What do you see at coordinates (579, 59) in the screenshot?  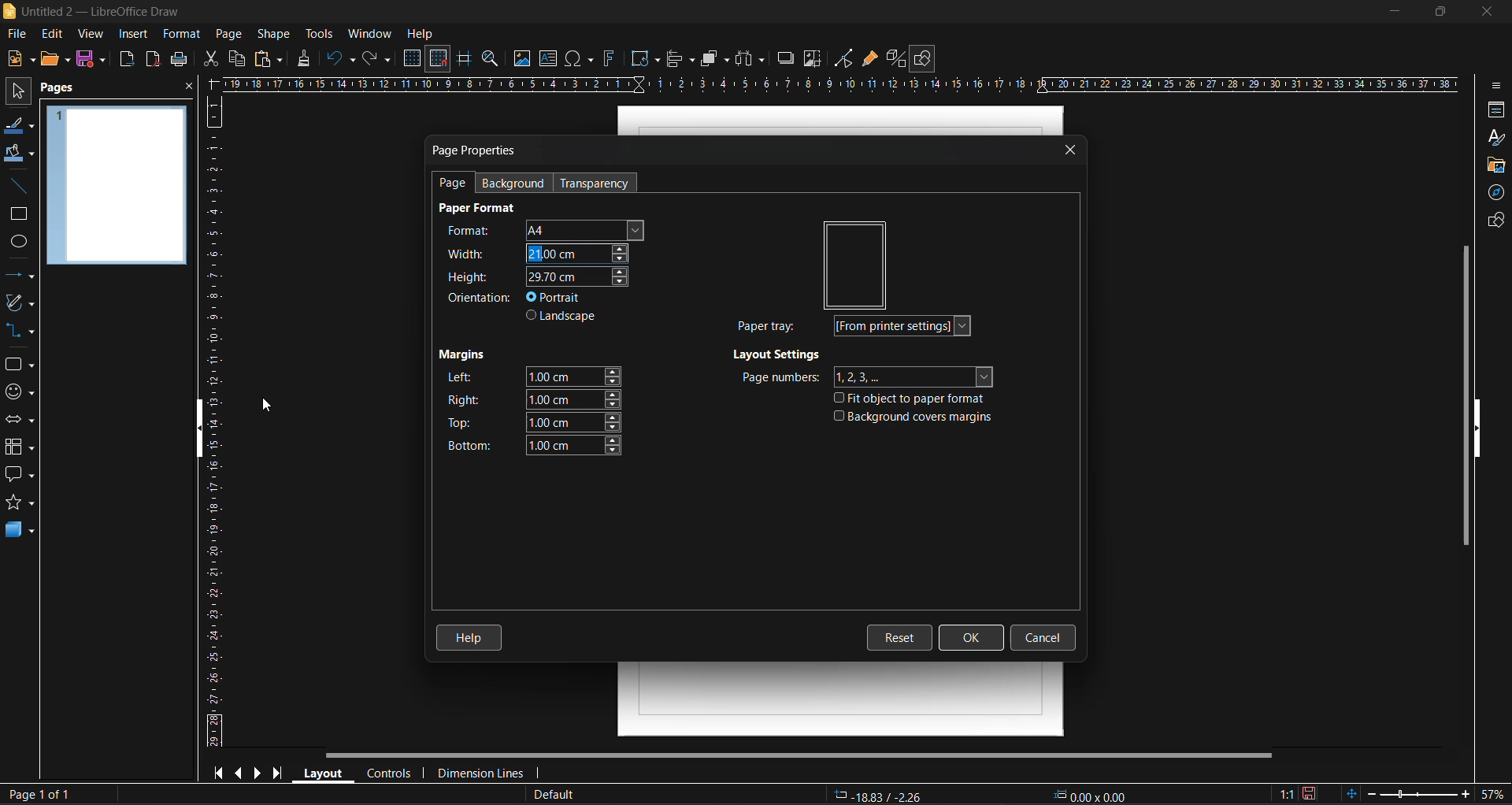 I see `special characters` at bounding box center [579, 59].